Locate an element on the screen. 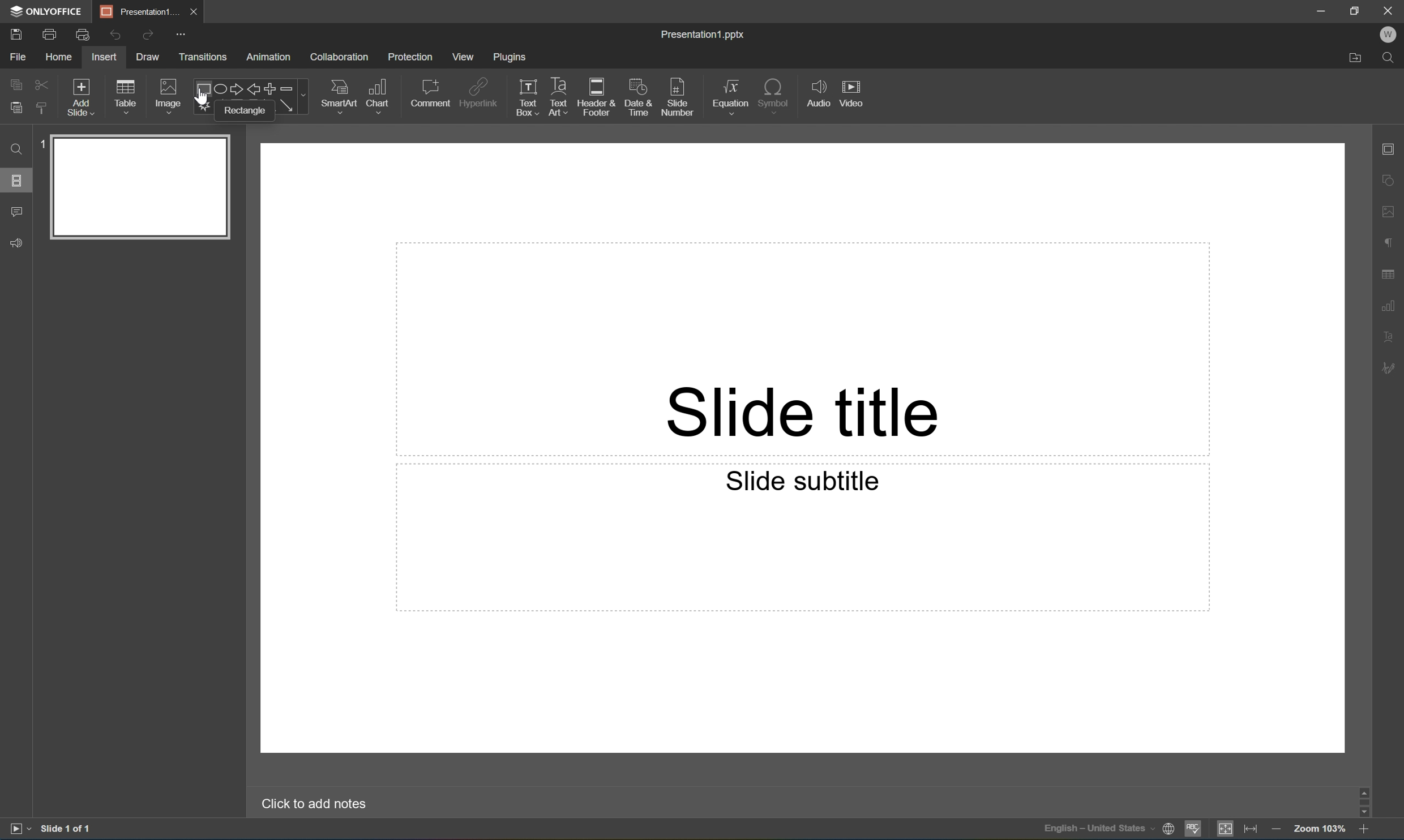  Redo is located at coordinates (147, 36).